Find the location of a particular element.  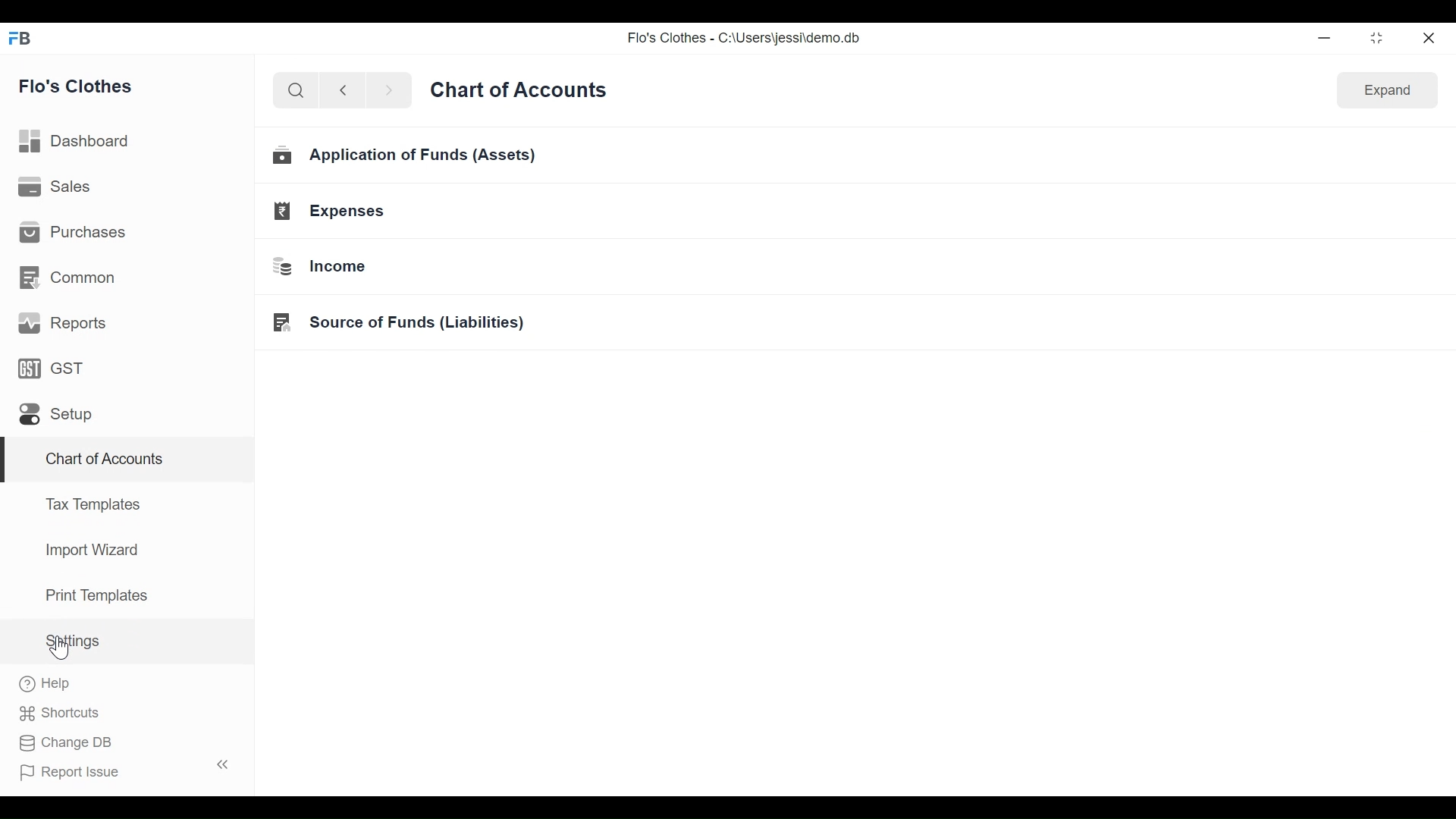

Setup is located at coordinates (58, 414).